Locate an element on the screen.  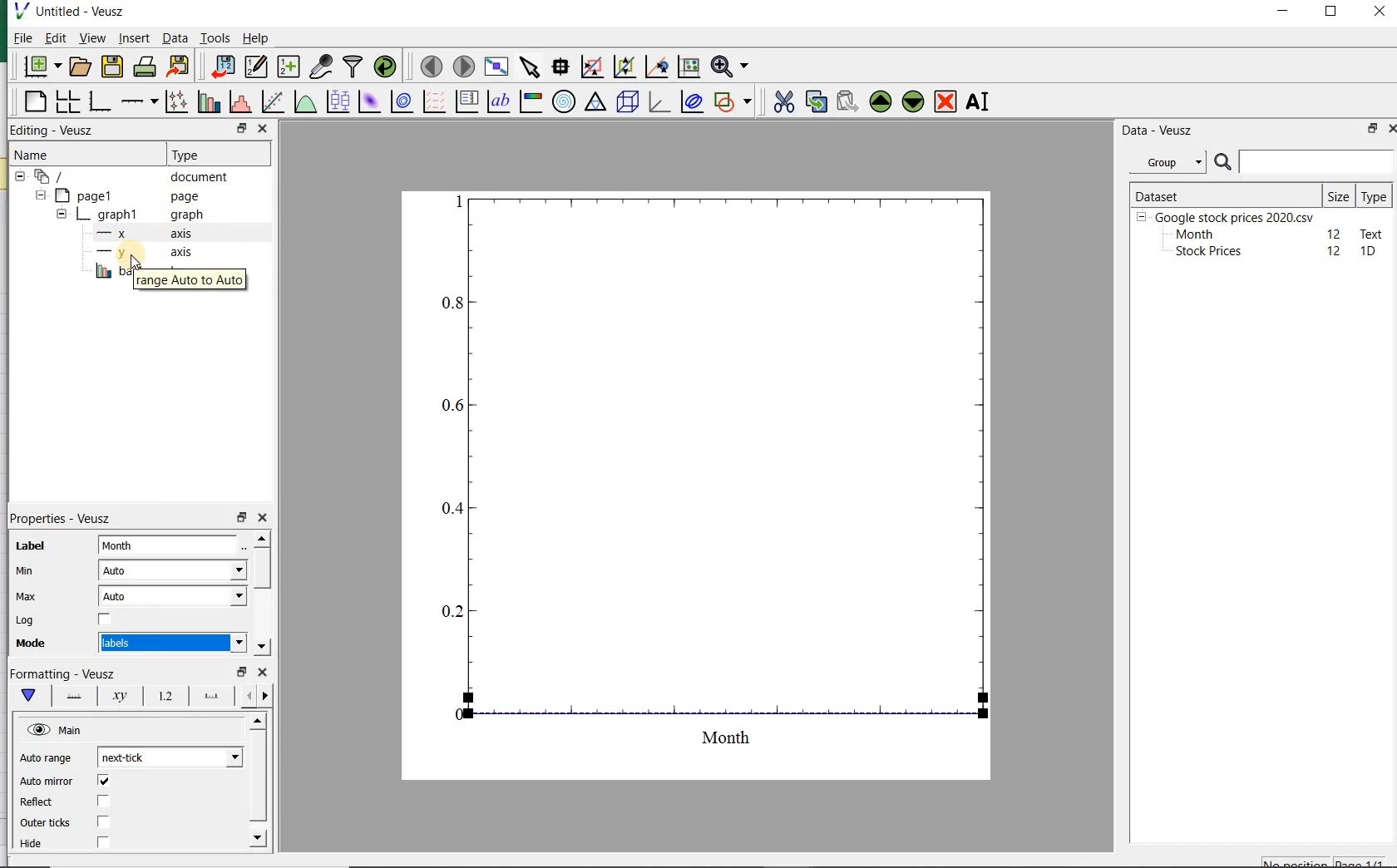
plot a 2d dataset as an image is located at coordinates (368, 101).